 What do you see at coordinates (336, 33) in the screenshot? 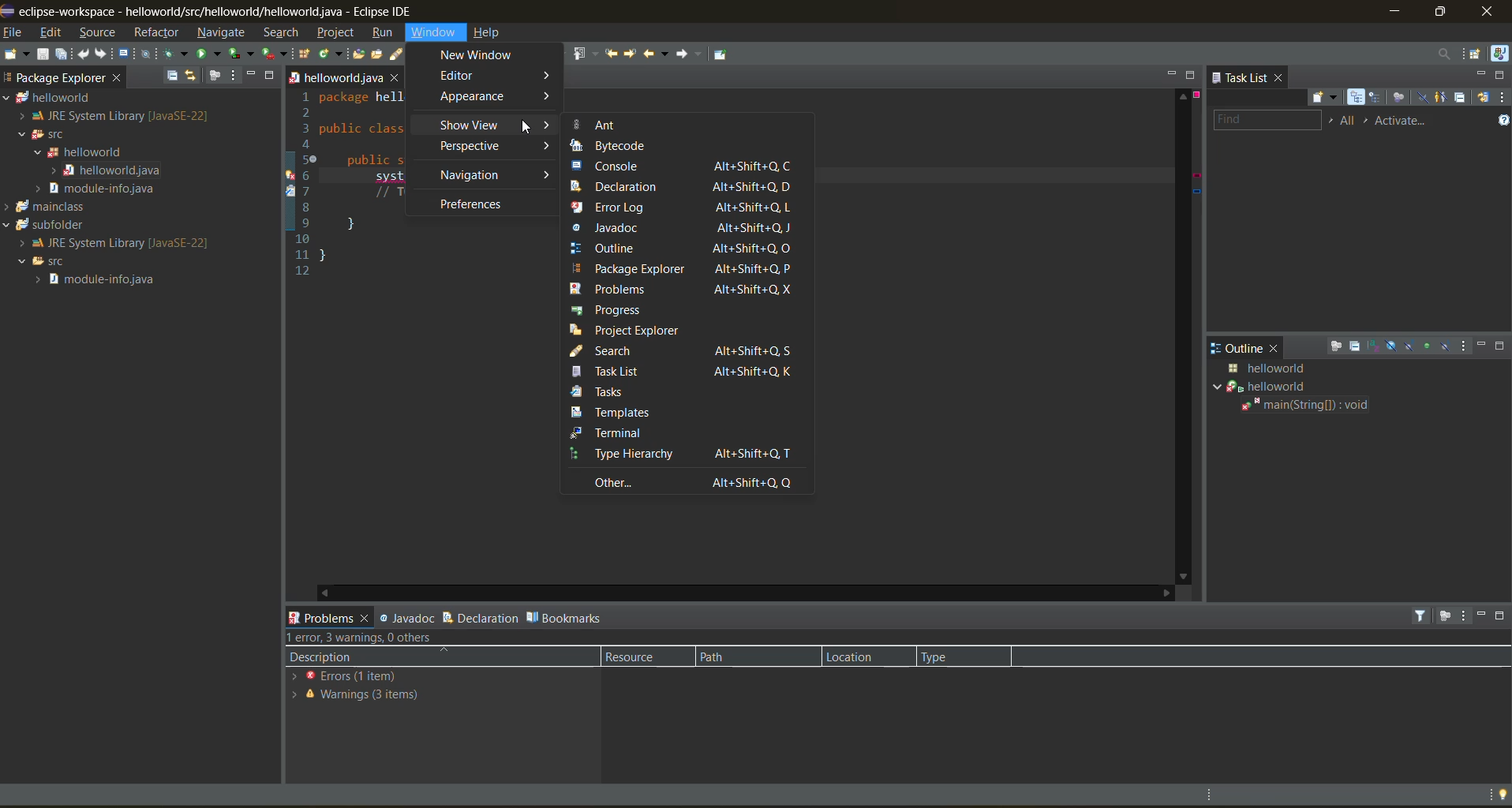
I see `project` at bounding box center [336, 33].